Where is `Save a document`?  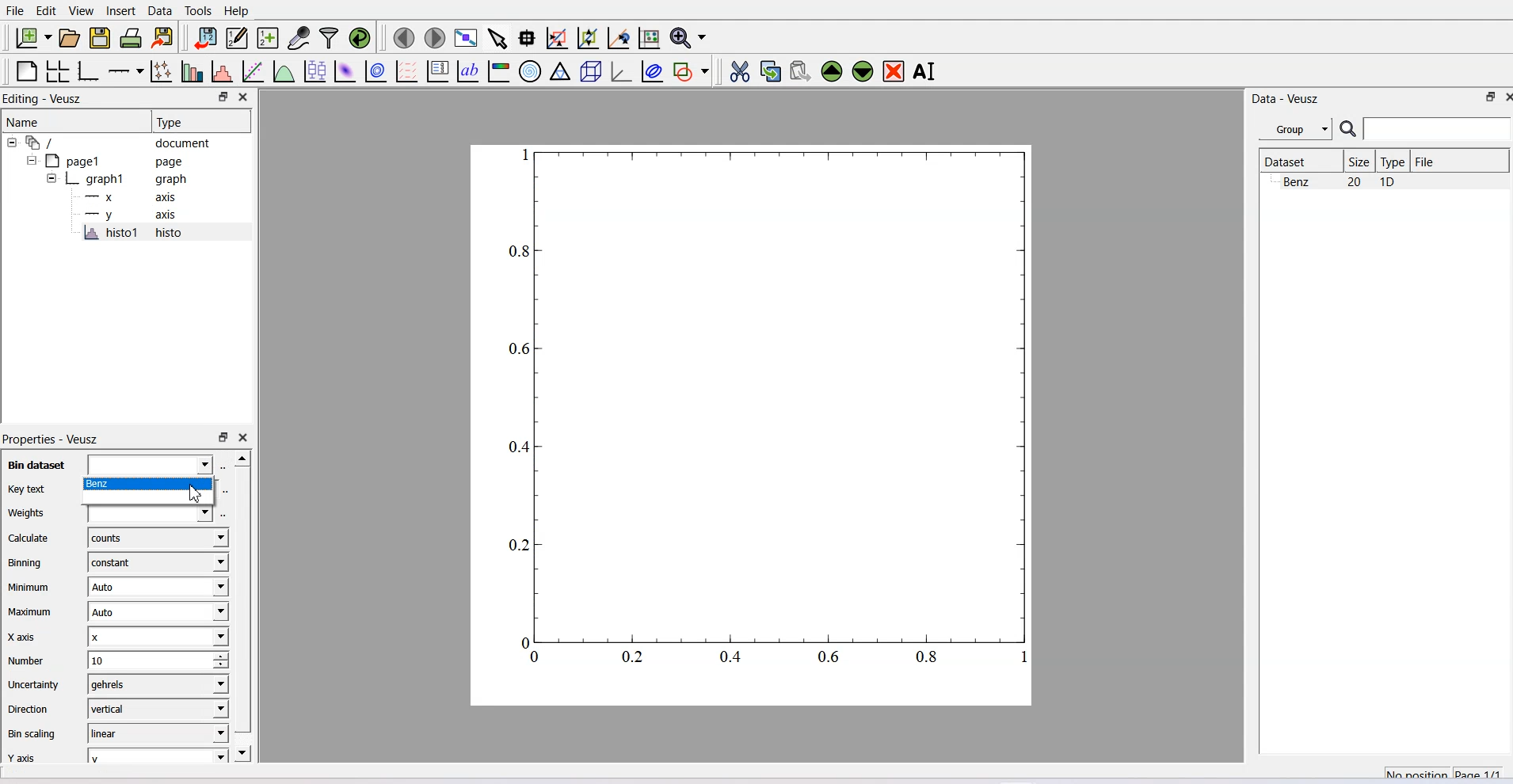 Save a document is located at coordinates (101, 38).